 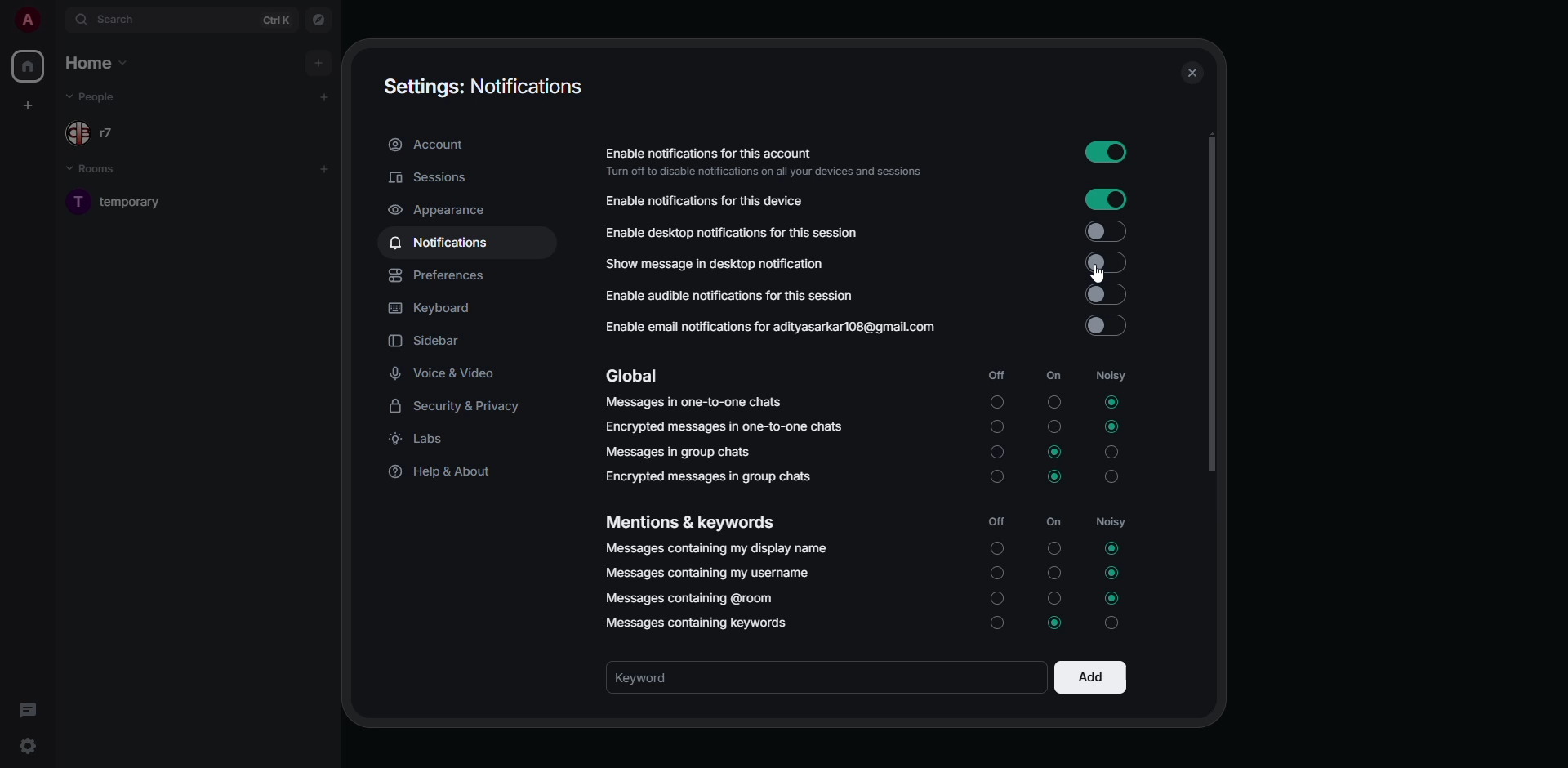 I want to click on expand, so click(x=56, y=19).